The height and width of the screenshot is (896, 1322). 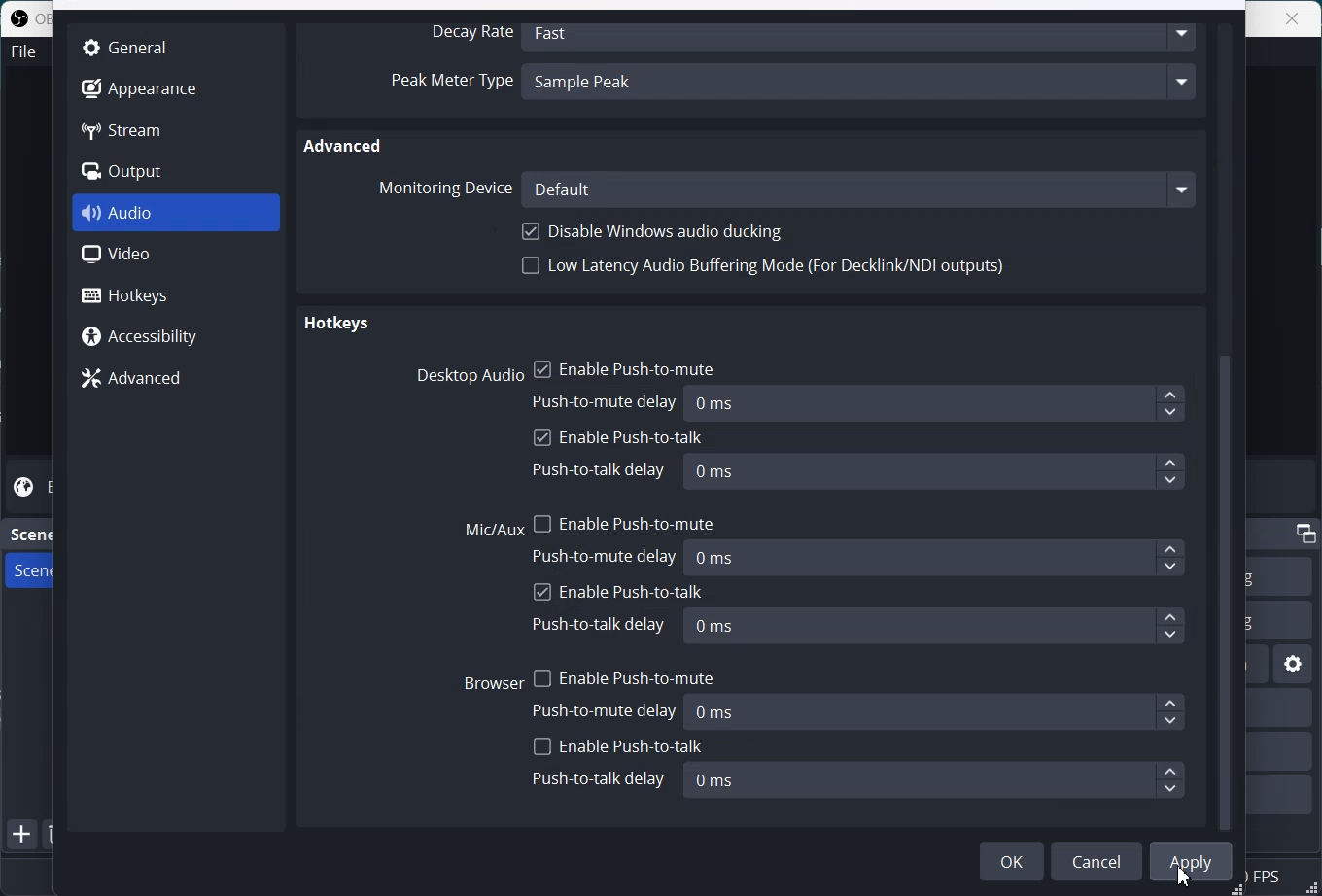 What do you see at coordinates (938, 557) in the screenshot?
I see `0 ms` at bounding box center [938, 557].